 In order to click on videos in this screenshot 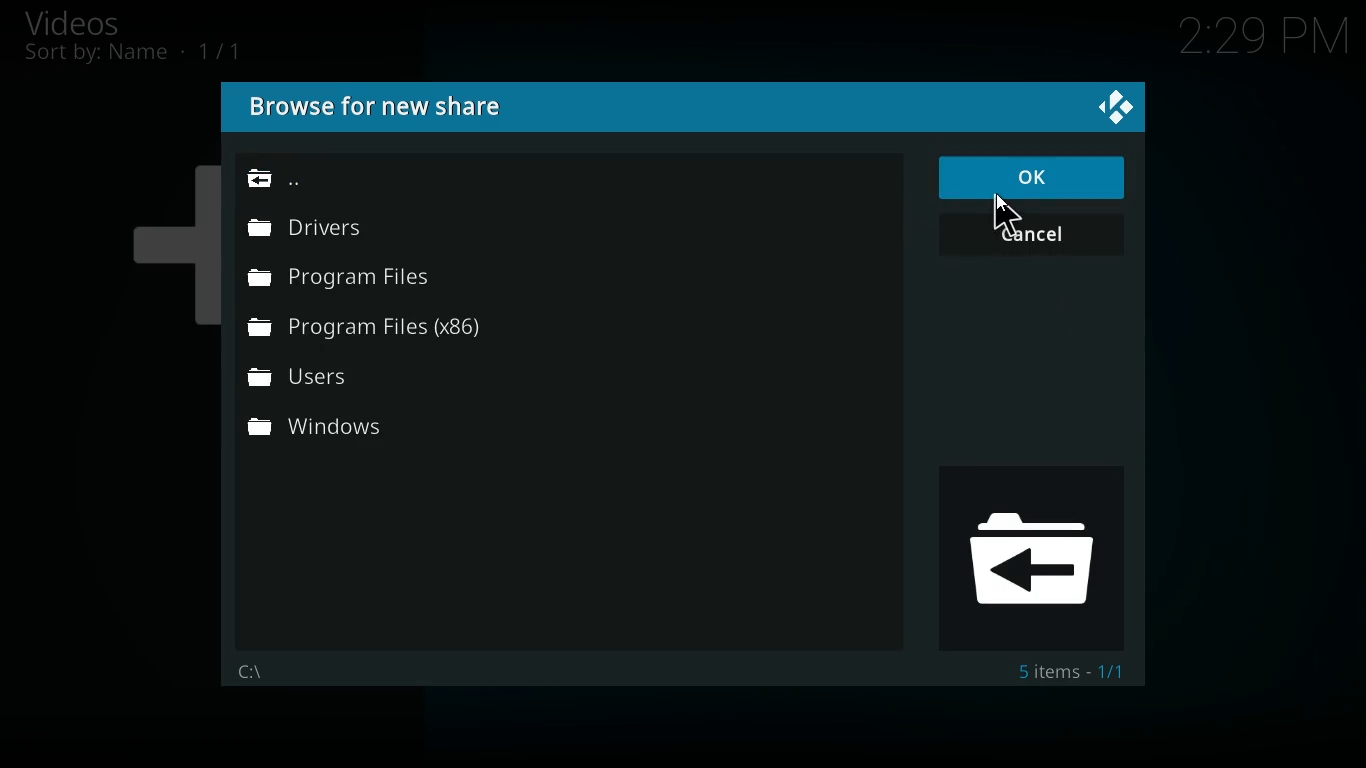, I will do `click(96, 22)`.